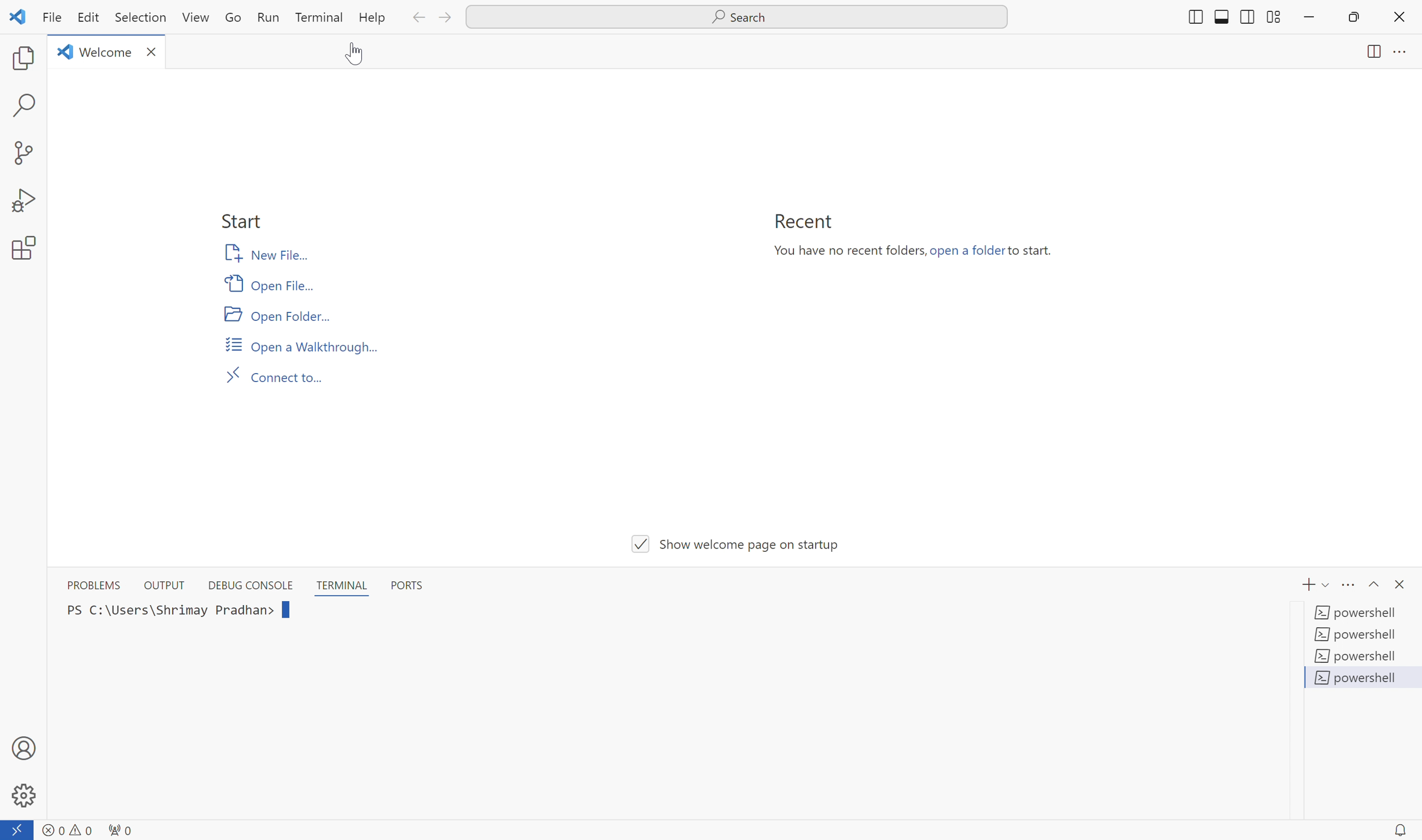 This screenshot has height=840, width=1422. I want to click on Help, so click(371, 18).